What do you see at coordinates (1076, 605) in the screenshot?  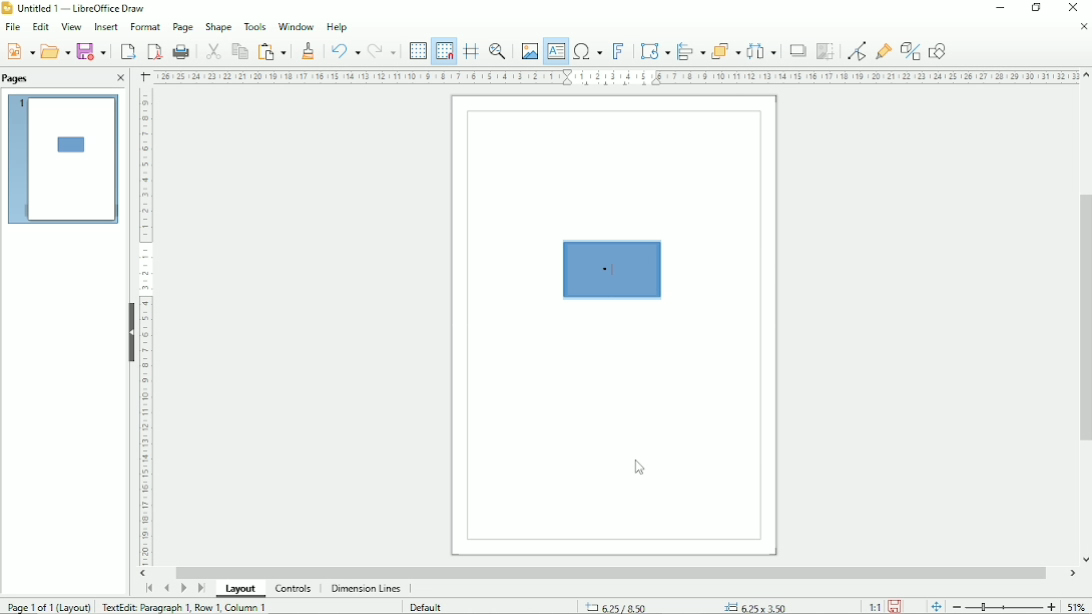 I see `Zoom factor` at bounding box center [1076, 605].